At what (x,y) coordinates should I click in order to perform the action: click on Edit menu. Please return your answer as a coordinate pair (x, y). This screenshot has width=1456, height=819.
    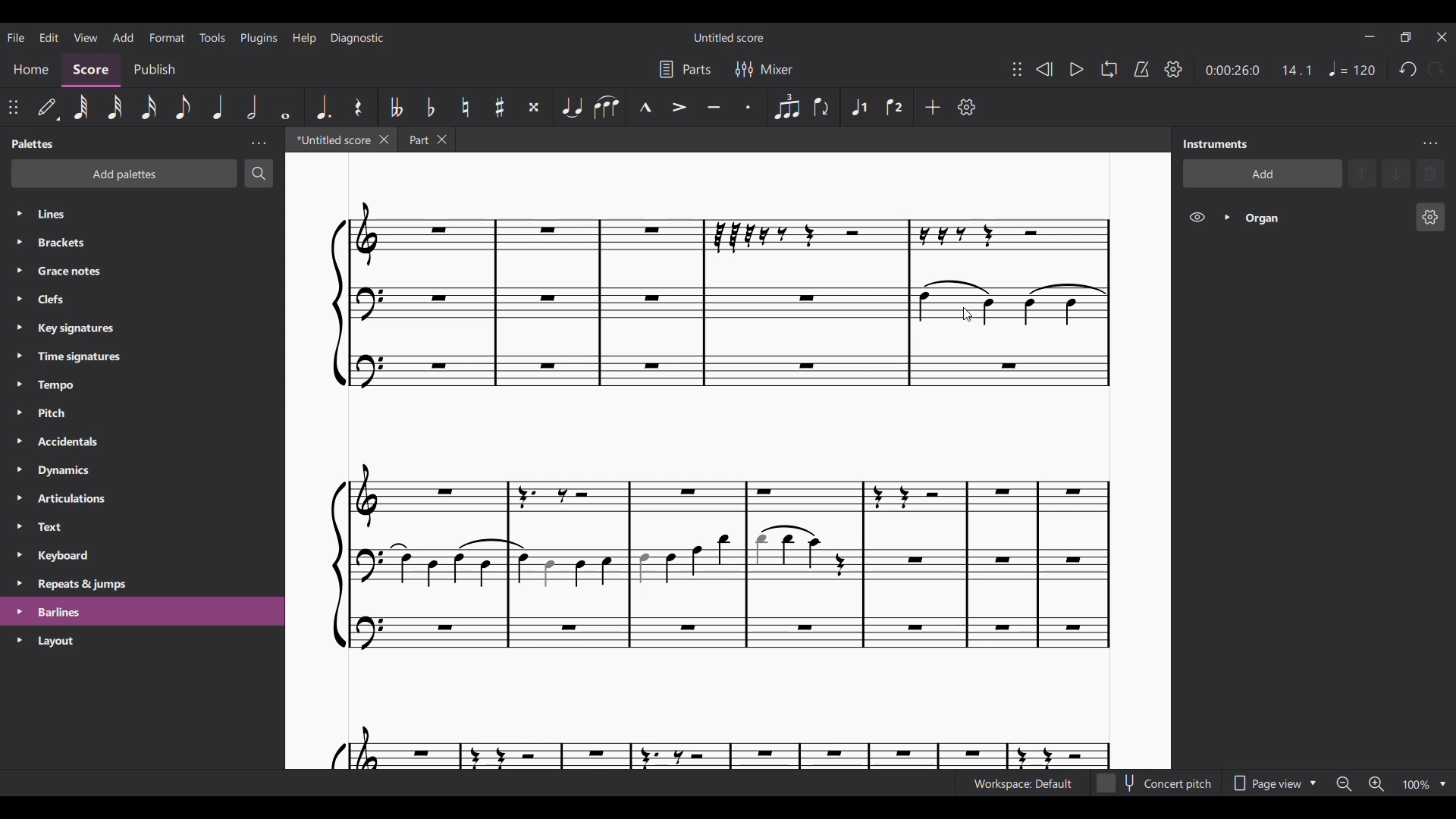
    Looking at the image, I should click on (48, 36).